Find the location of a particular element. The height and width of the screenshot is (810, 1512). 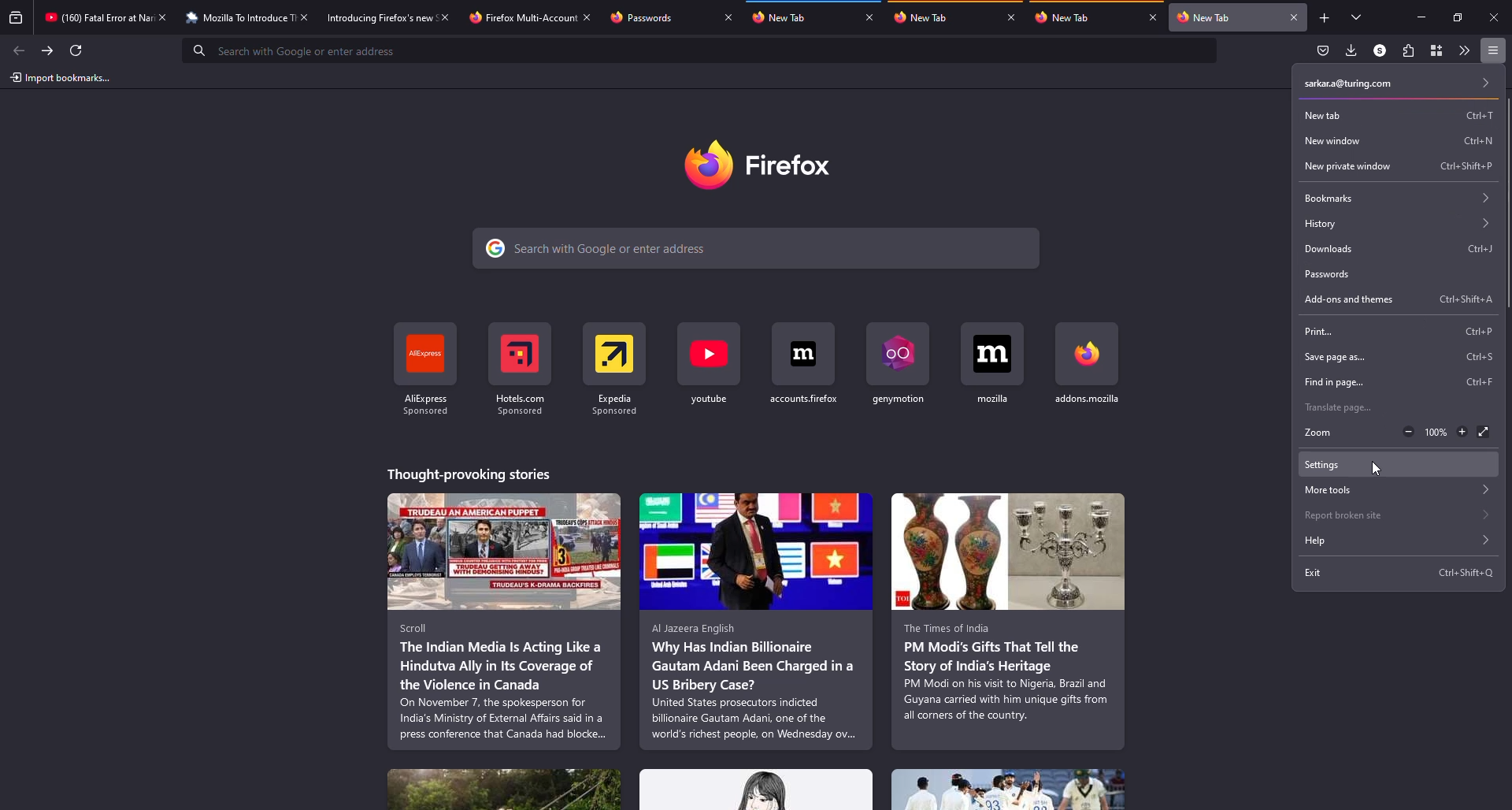

zoom in is located at coordinates (1463, 433).